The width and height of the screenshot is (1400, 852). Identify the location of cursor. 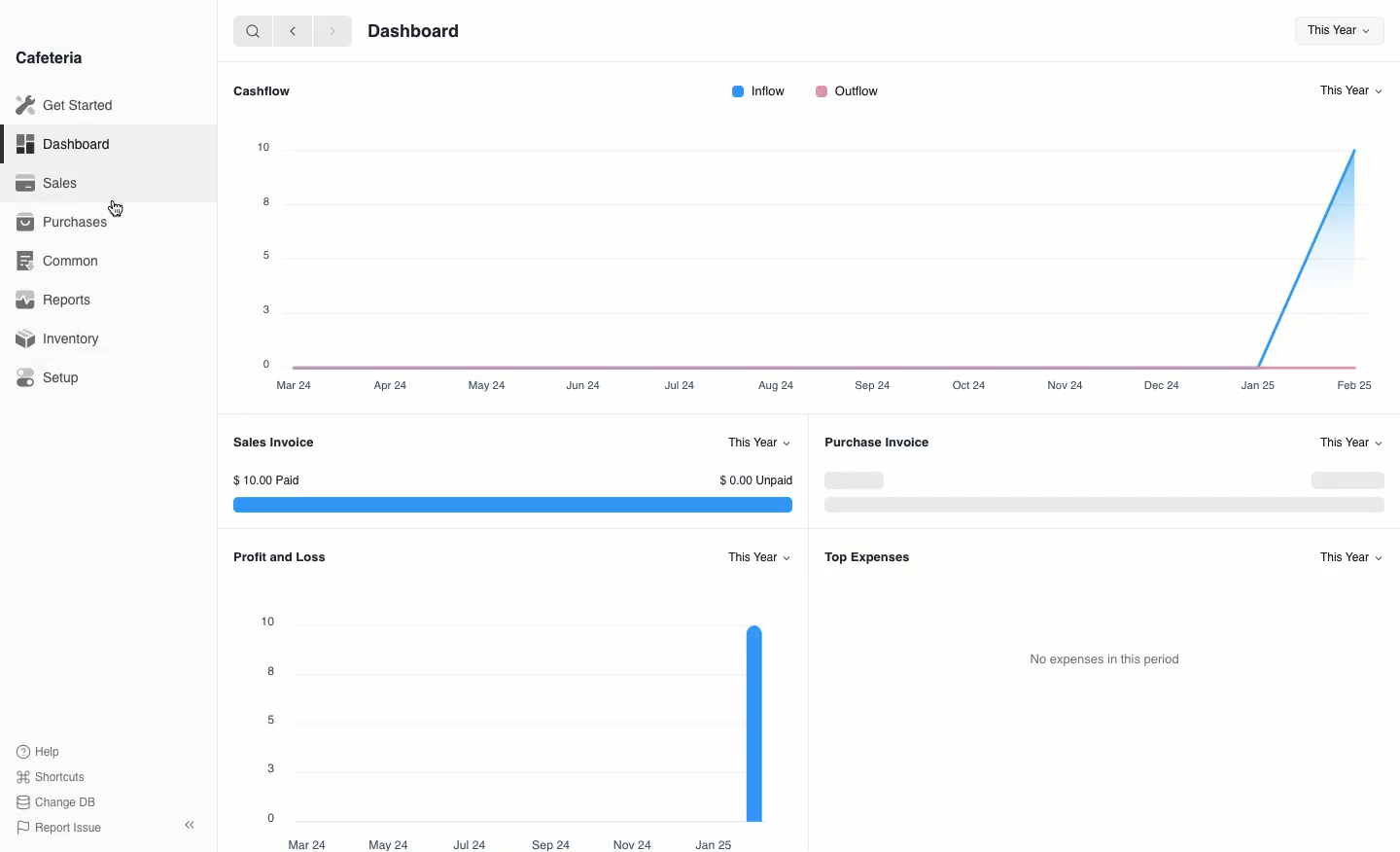
(116, 204).